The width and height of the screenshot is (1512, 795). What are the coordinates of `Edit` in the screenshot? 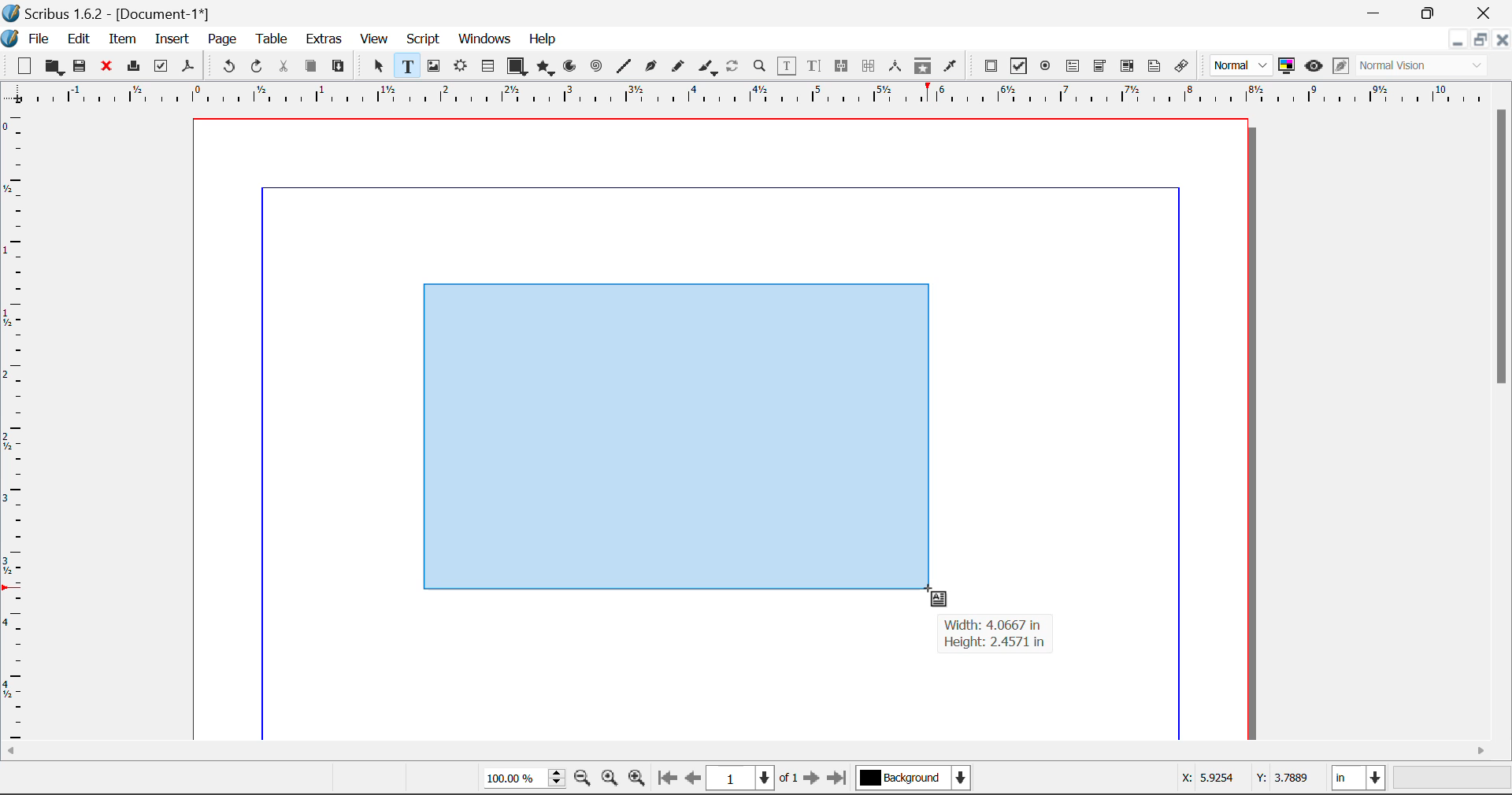 It's located at (79, 38).